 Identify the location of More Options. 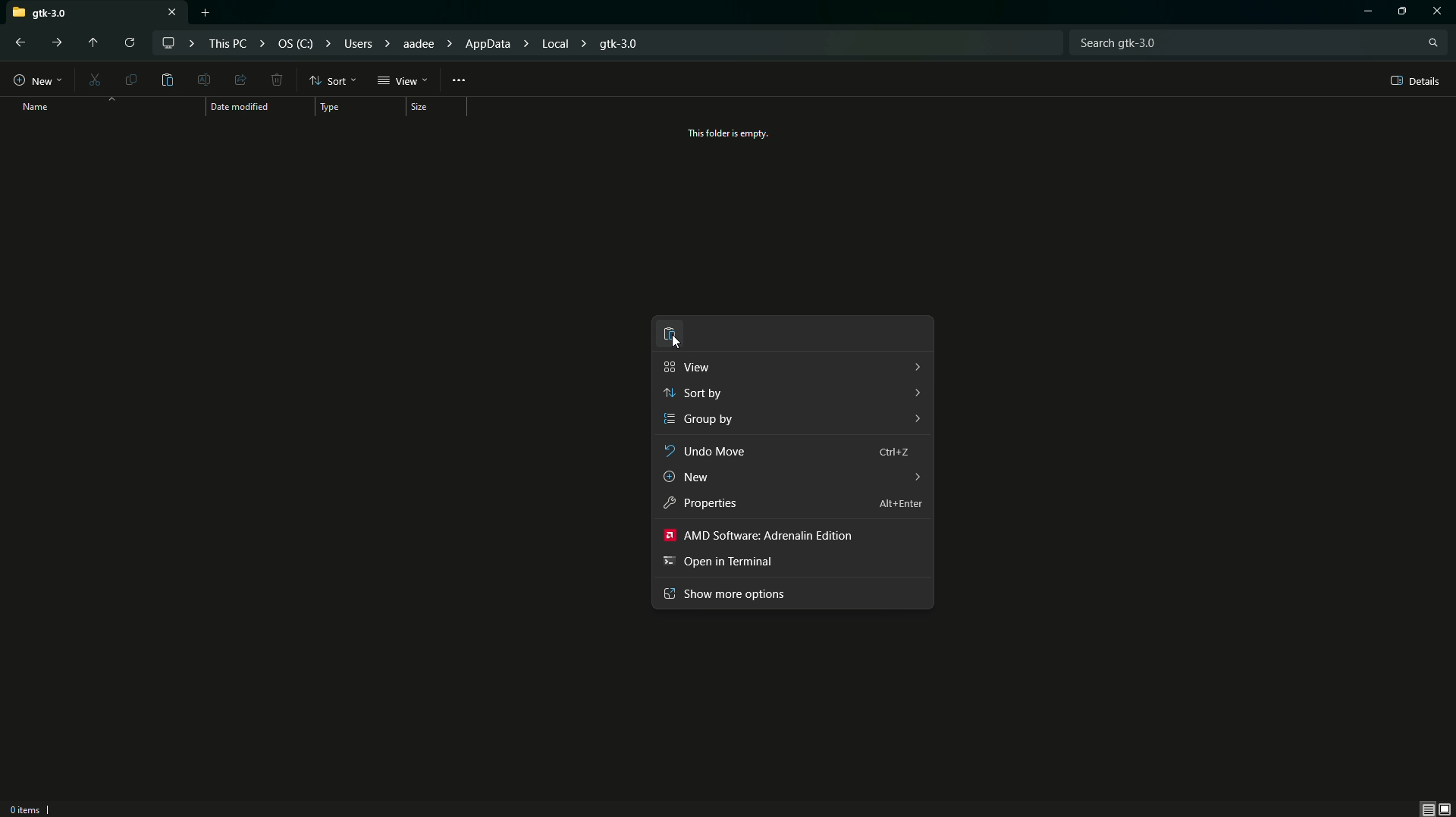
(460, 79).